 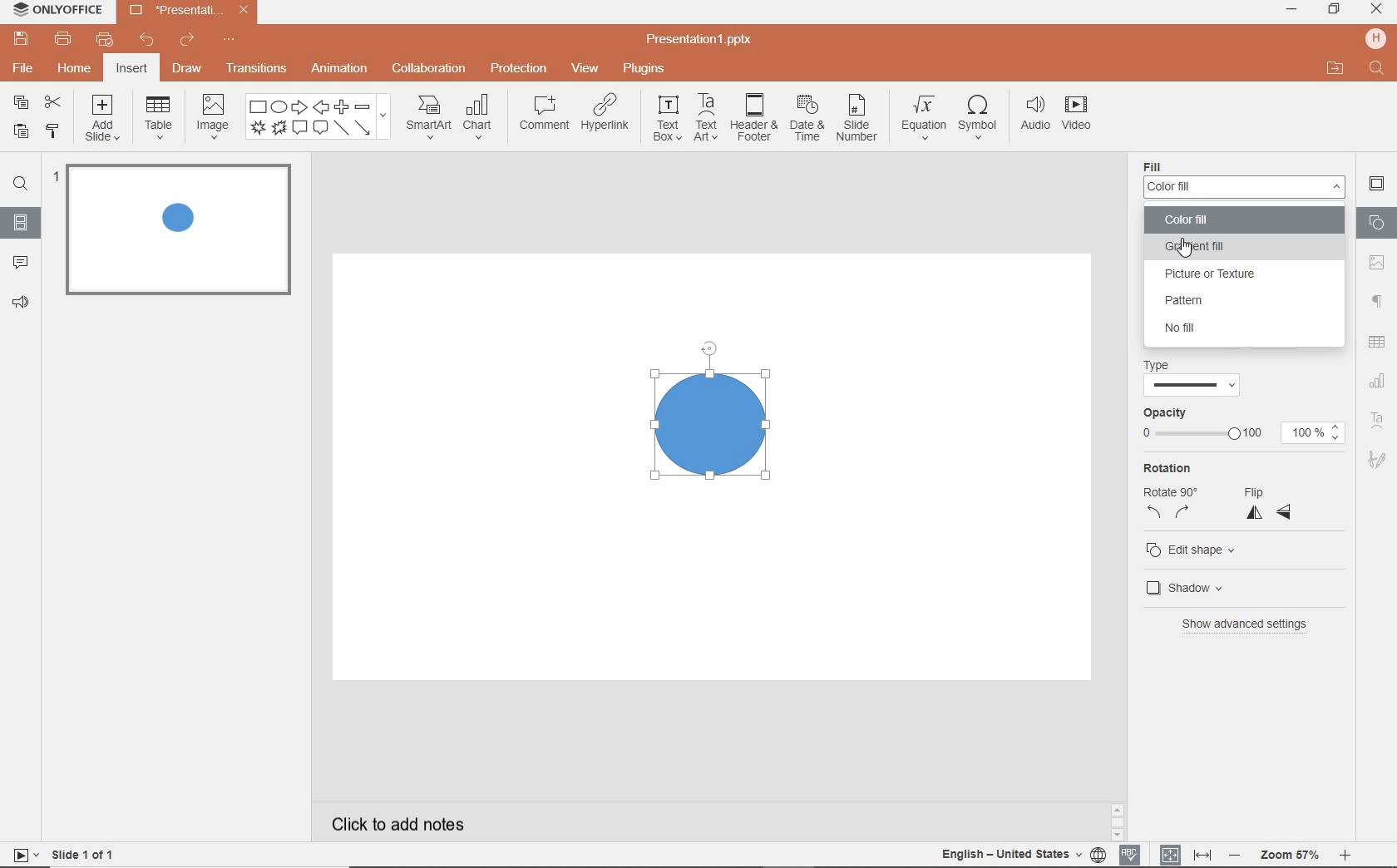 I want to click on videos, so click(x=1079, y=115).